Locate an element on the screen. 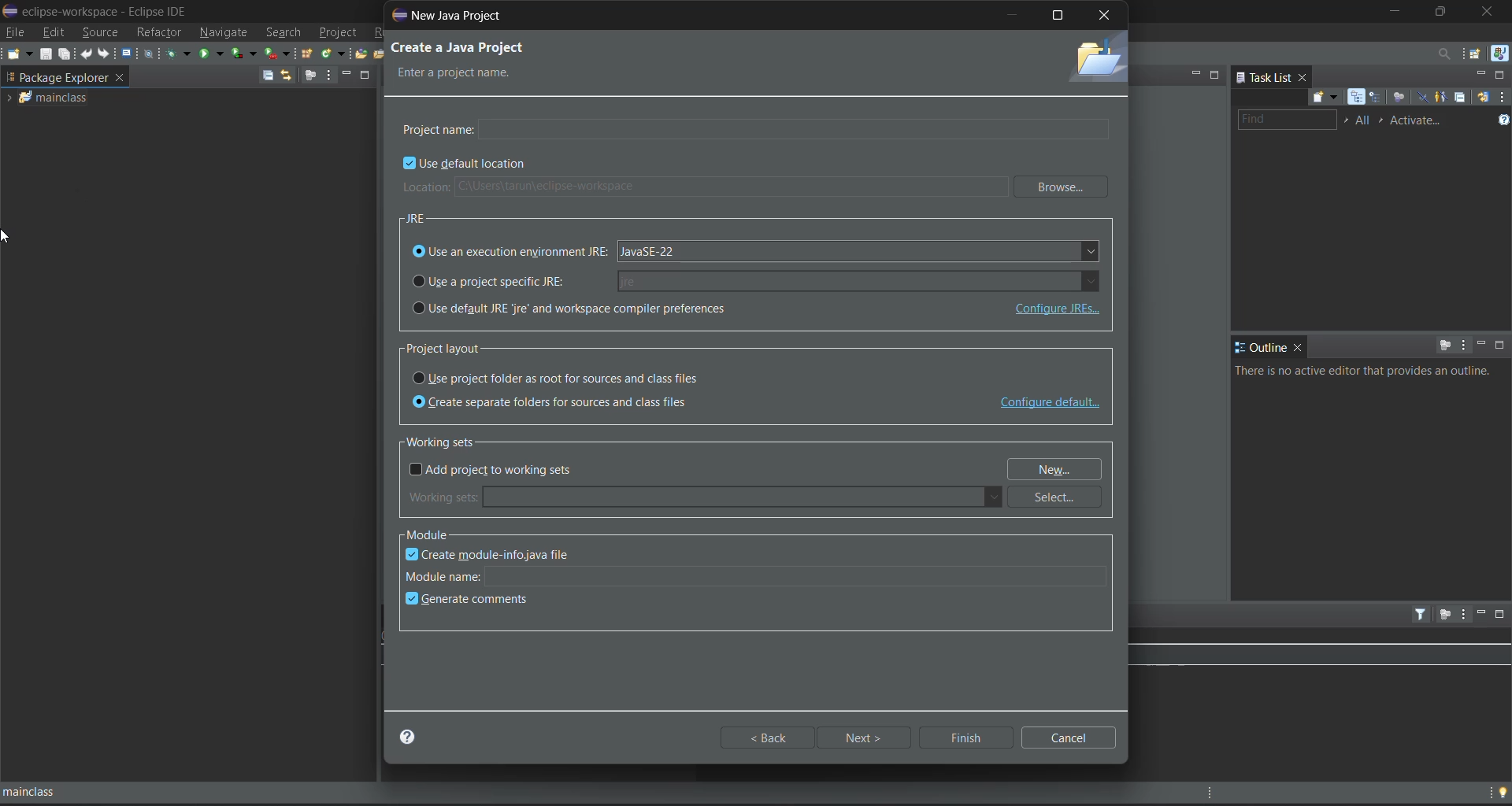 Image resolution: width=1512 pixels, height=806 pixels. save is located at coordinates (46, 54).